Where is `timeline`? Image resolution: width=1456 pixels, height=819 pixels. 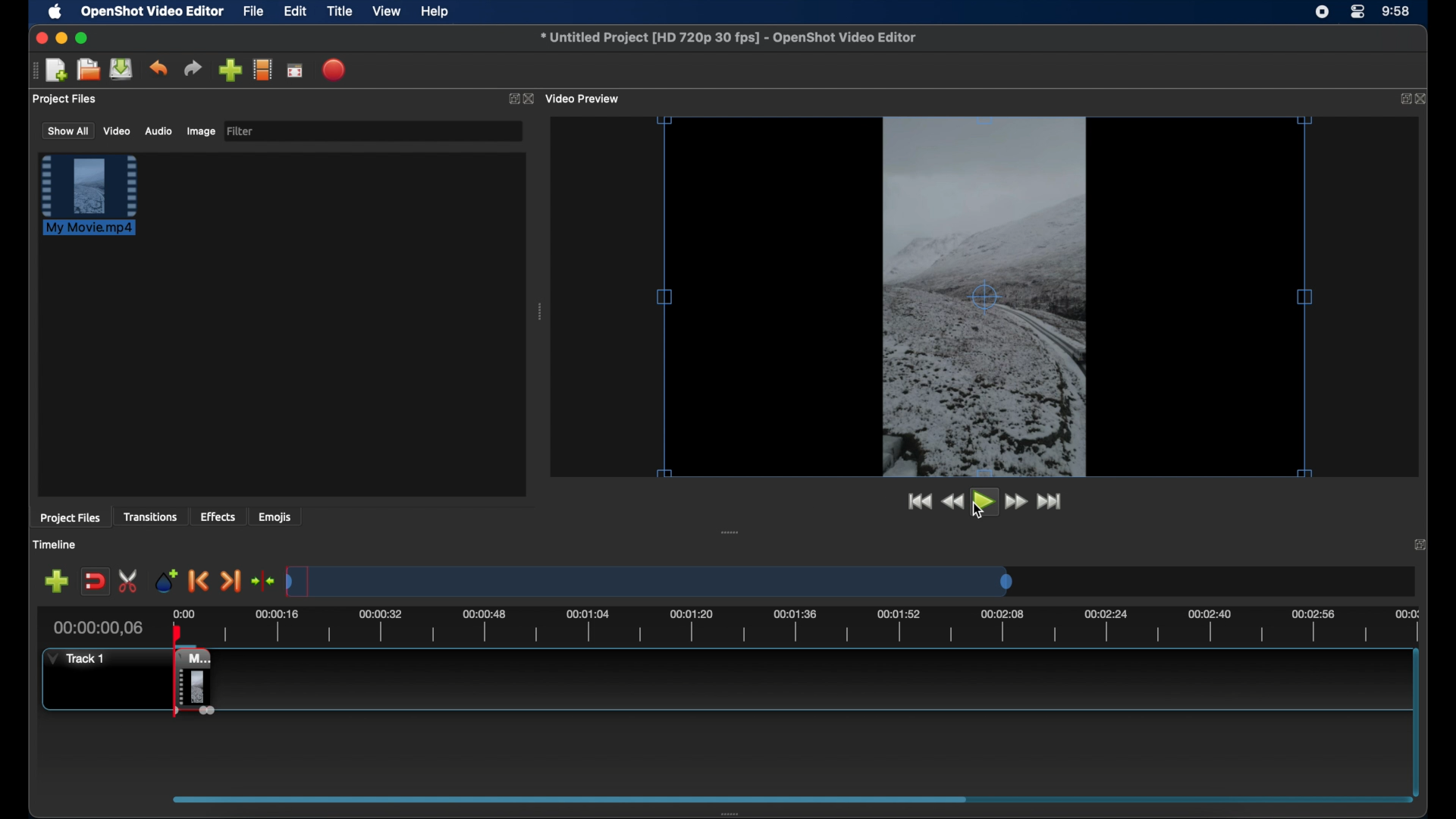 timeline is located at coordinates (55, 544).